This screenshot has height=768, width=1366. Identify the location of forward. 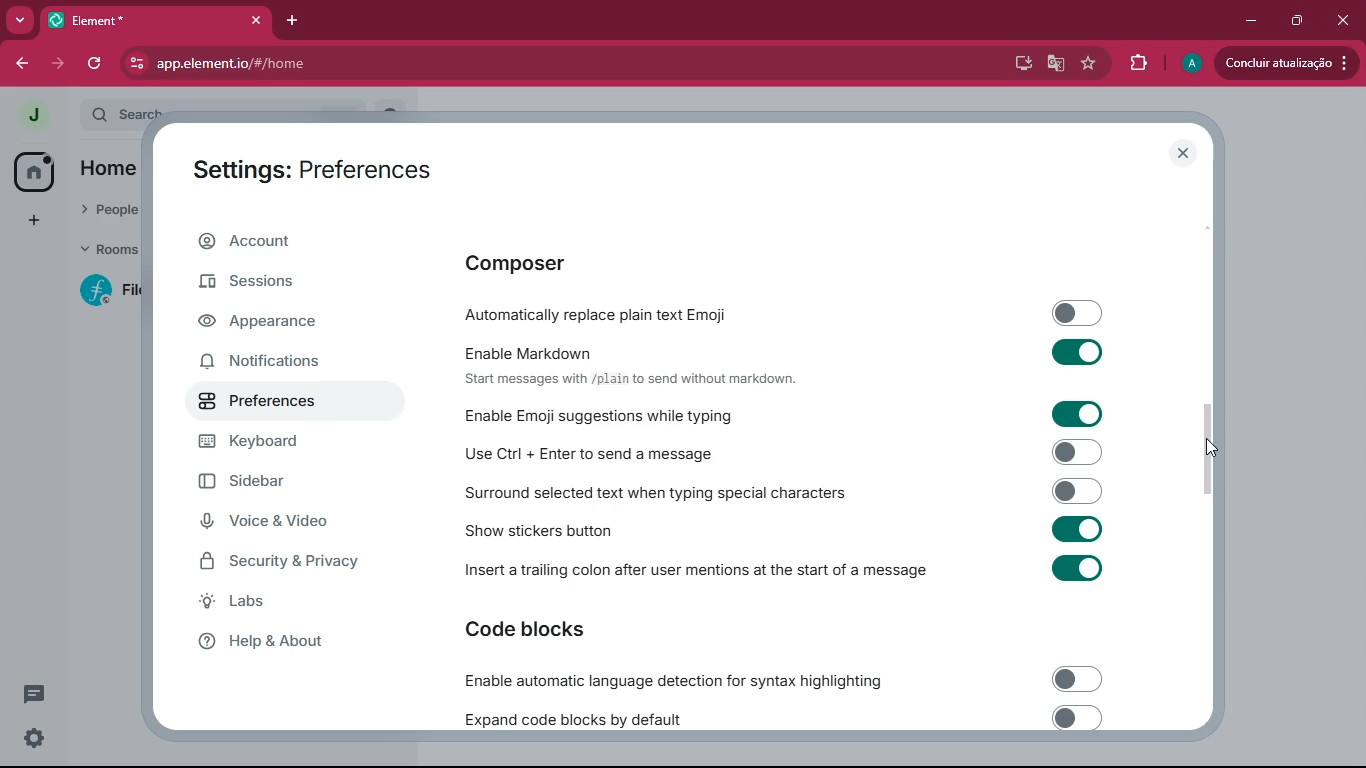
(56, 64).